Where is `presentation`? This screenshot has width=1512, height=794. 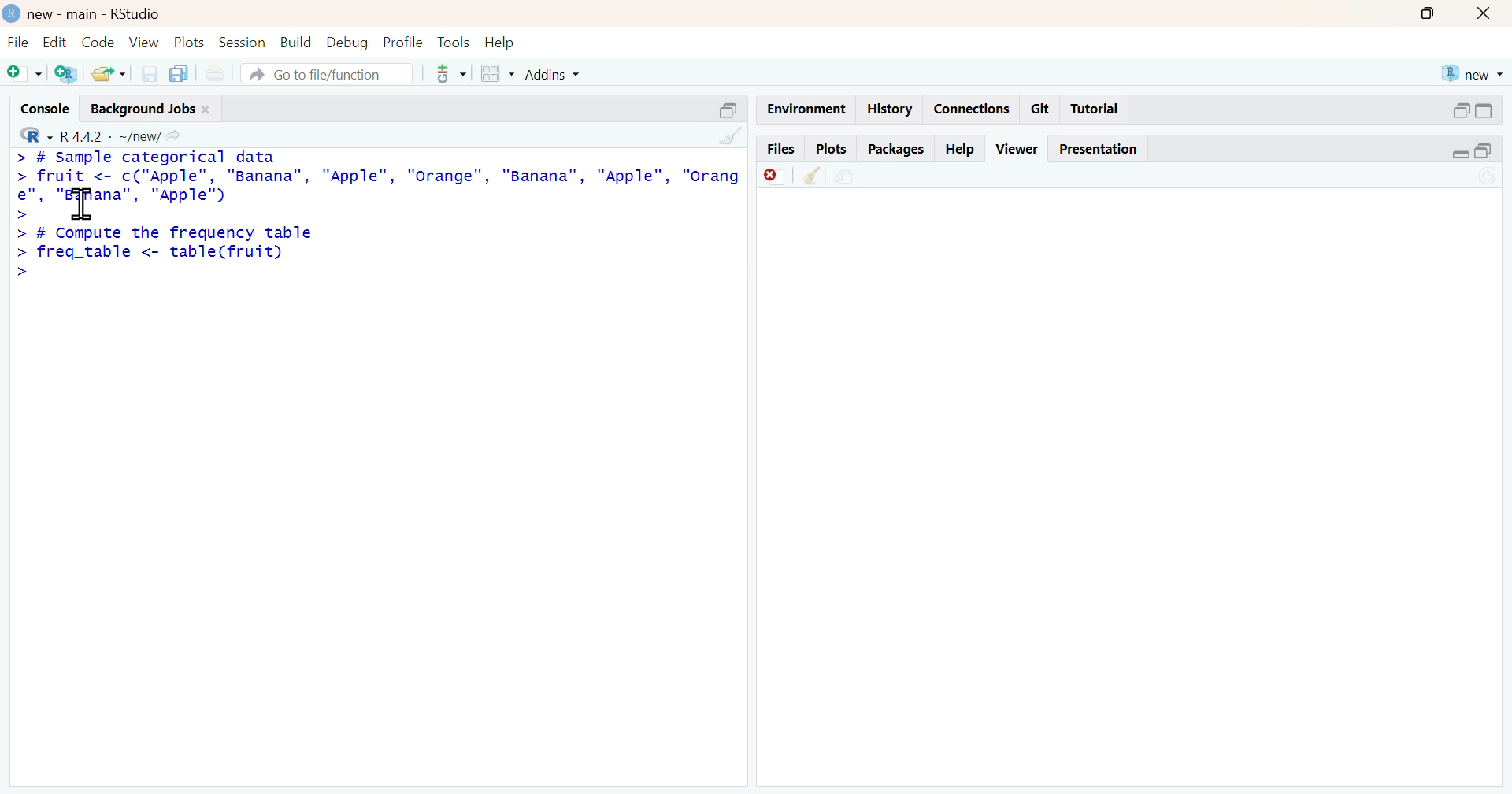 presentation is located at coordinates (1103, 150).